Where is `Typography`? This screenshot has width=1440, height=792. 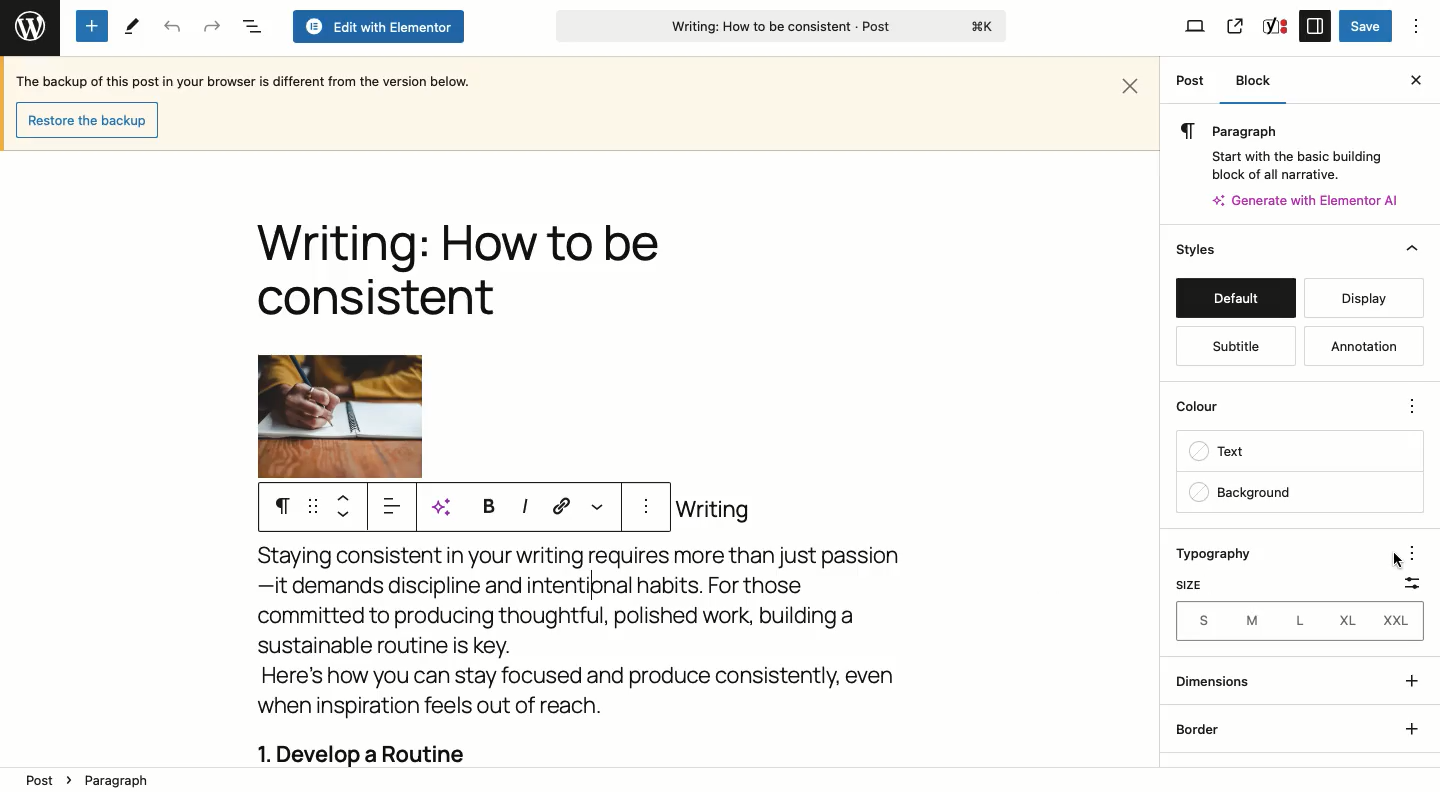
Typography is located at coordinates (1226, 553).